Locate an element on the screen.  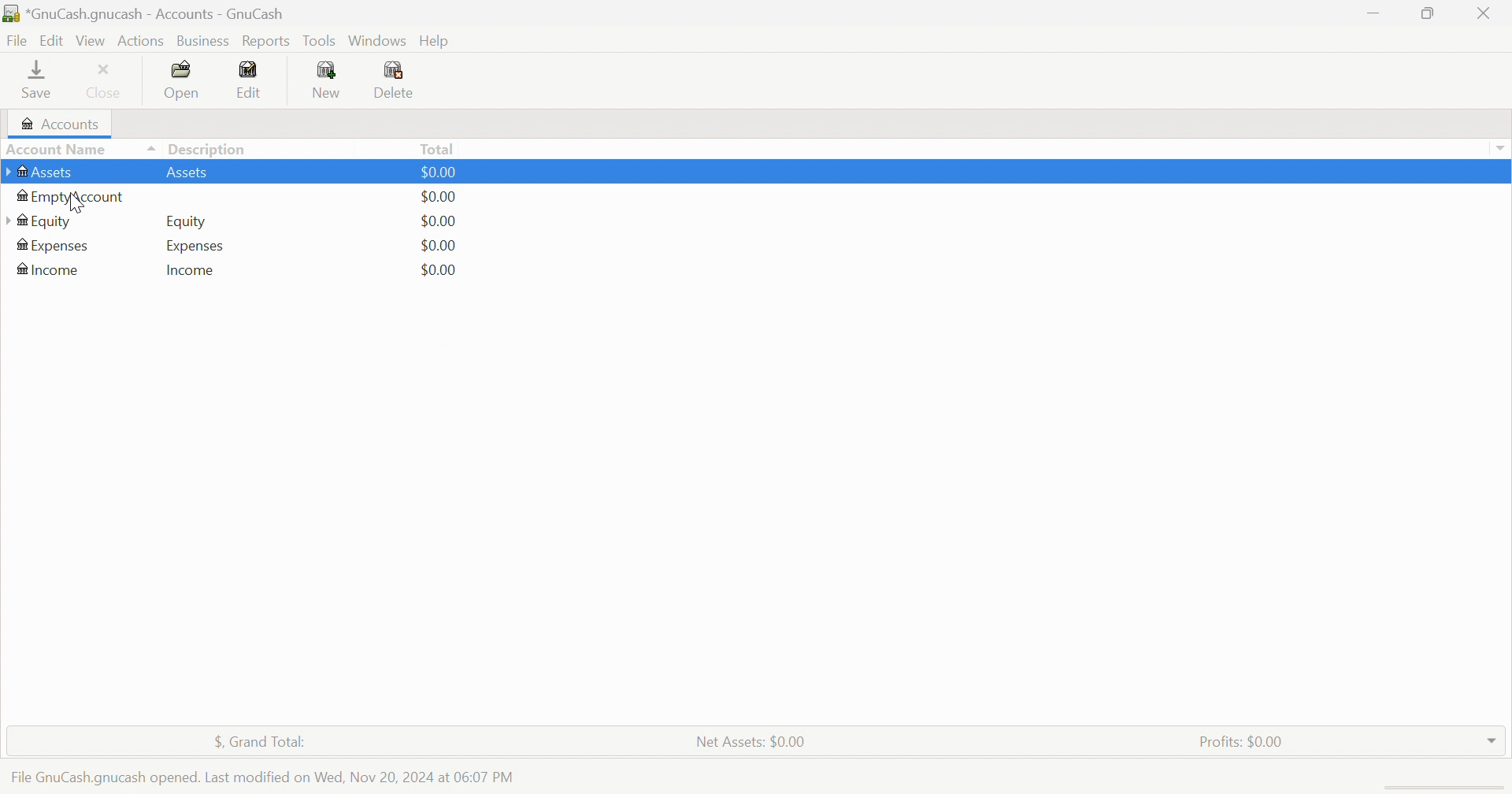
File GnuCash opened. Last modified on Wed Nov 20, 2024 at 06:07 PM is located at coordinates (266, 777).